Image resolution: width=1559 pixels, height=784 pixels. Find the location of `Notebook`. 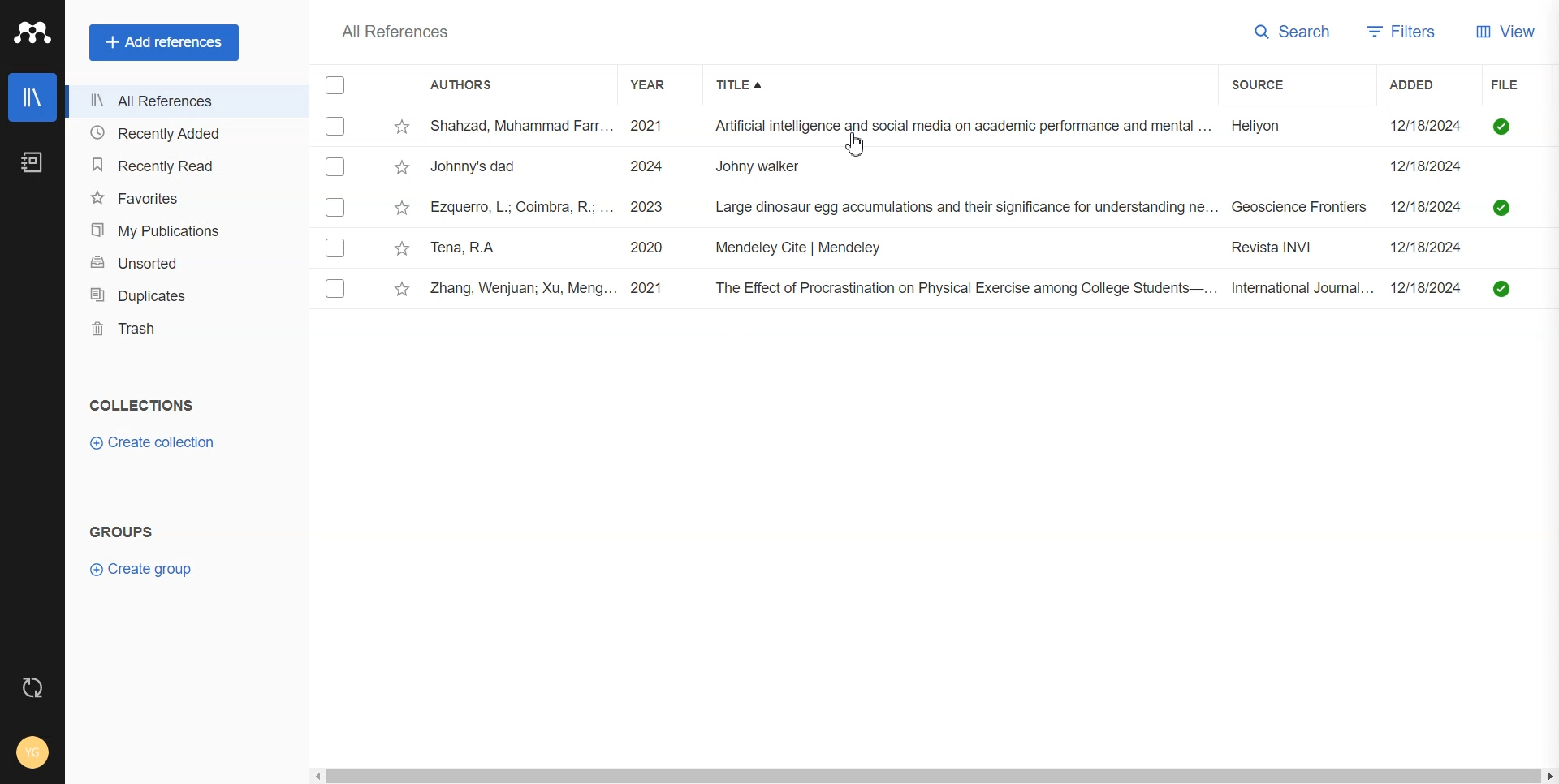

Notebook is located at coordinates (33, 162).